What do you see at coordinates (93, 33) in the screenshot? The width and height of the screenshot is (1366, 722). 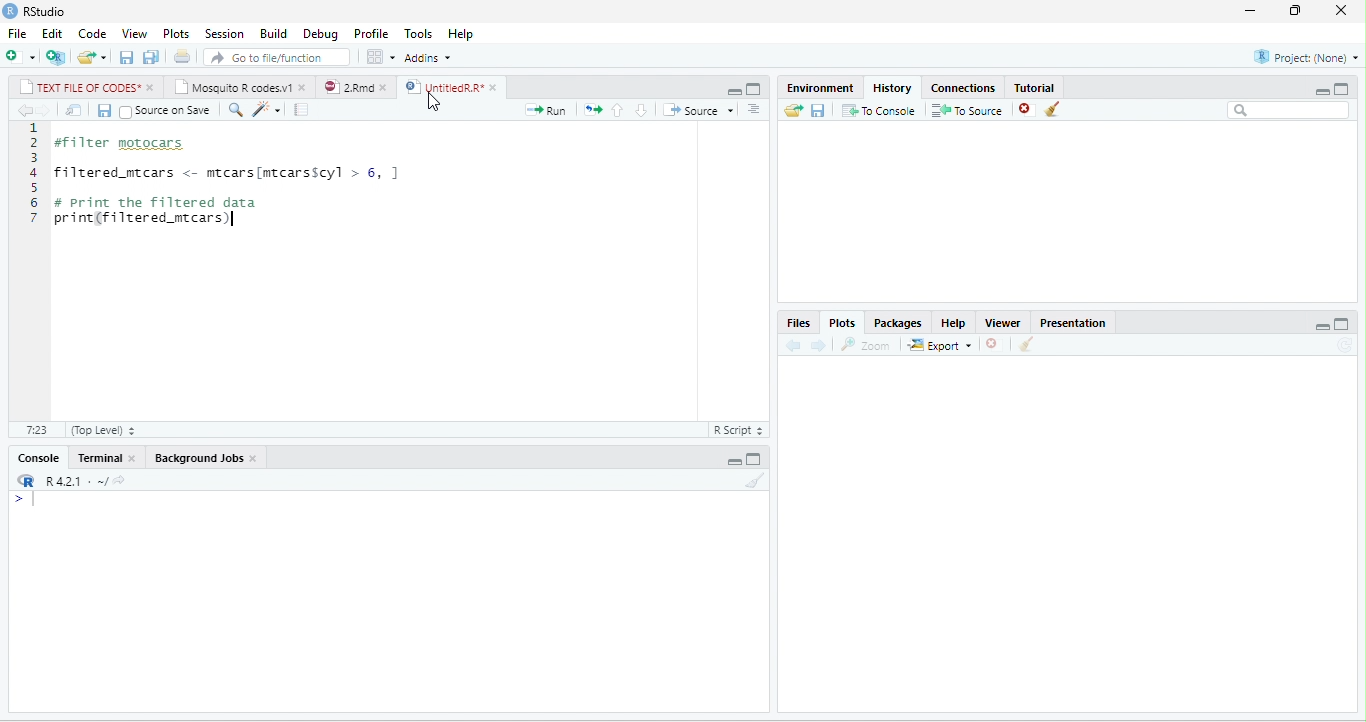 I see `Code` at bounding box center [93, 33].